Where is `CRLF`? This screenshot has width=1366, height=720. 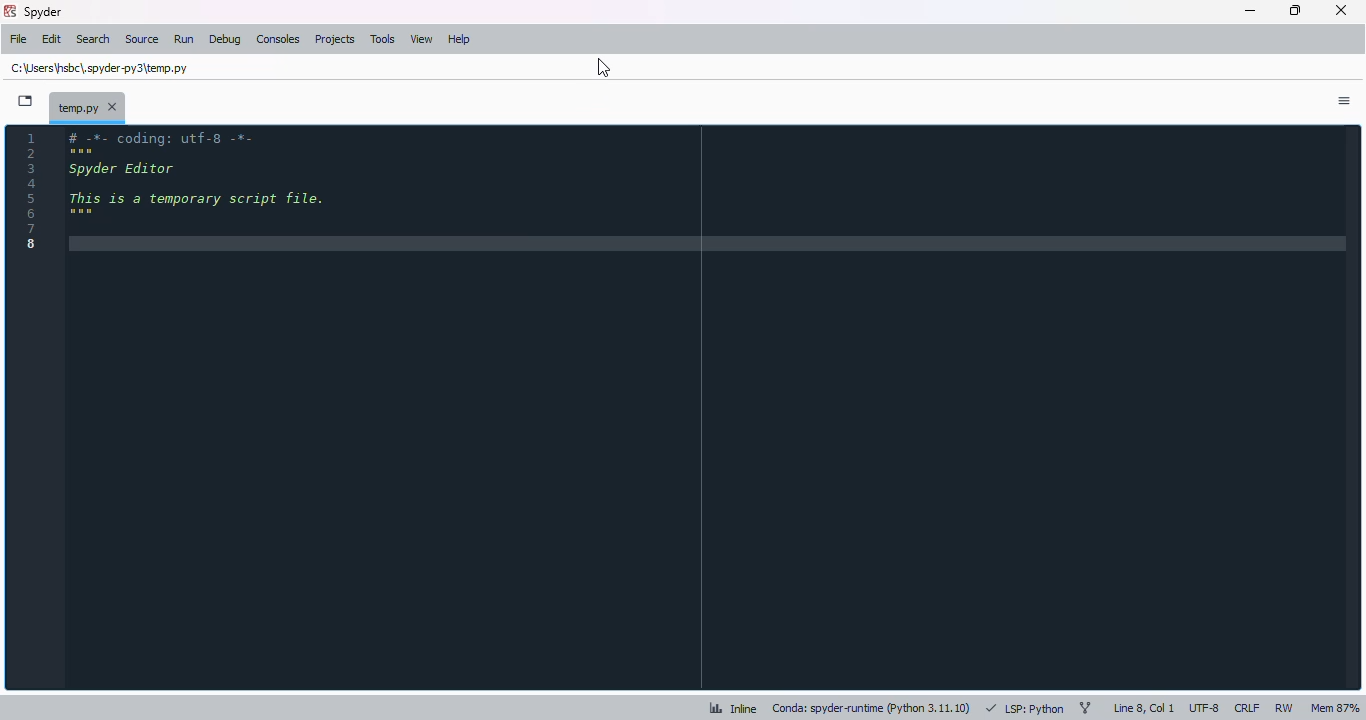
CRLF is located at coordinates (1246, 707).